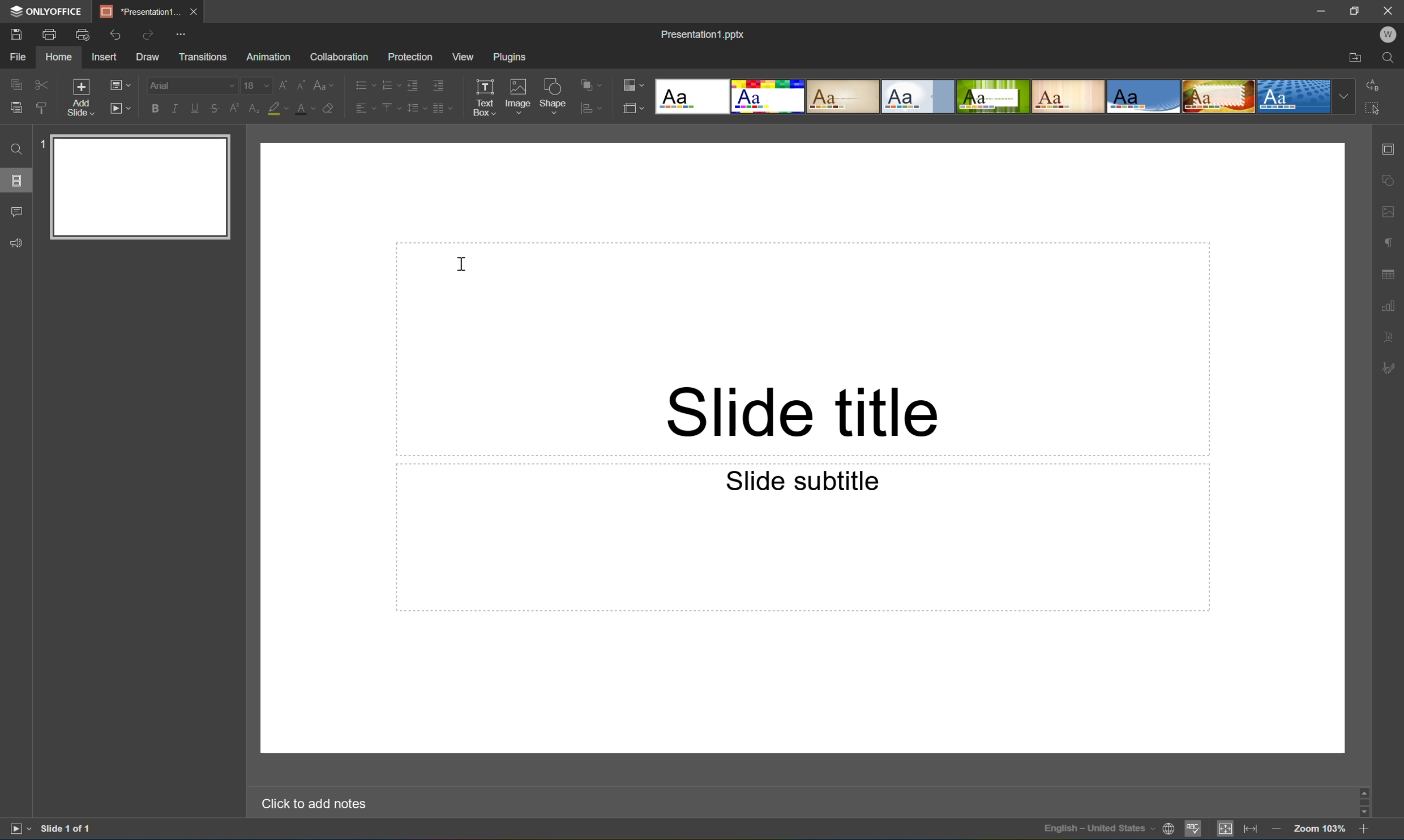  I want to click on Redo, so click(150, 38).